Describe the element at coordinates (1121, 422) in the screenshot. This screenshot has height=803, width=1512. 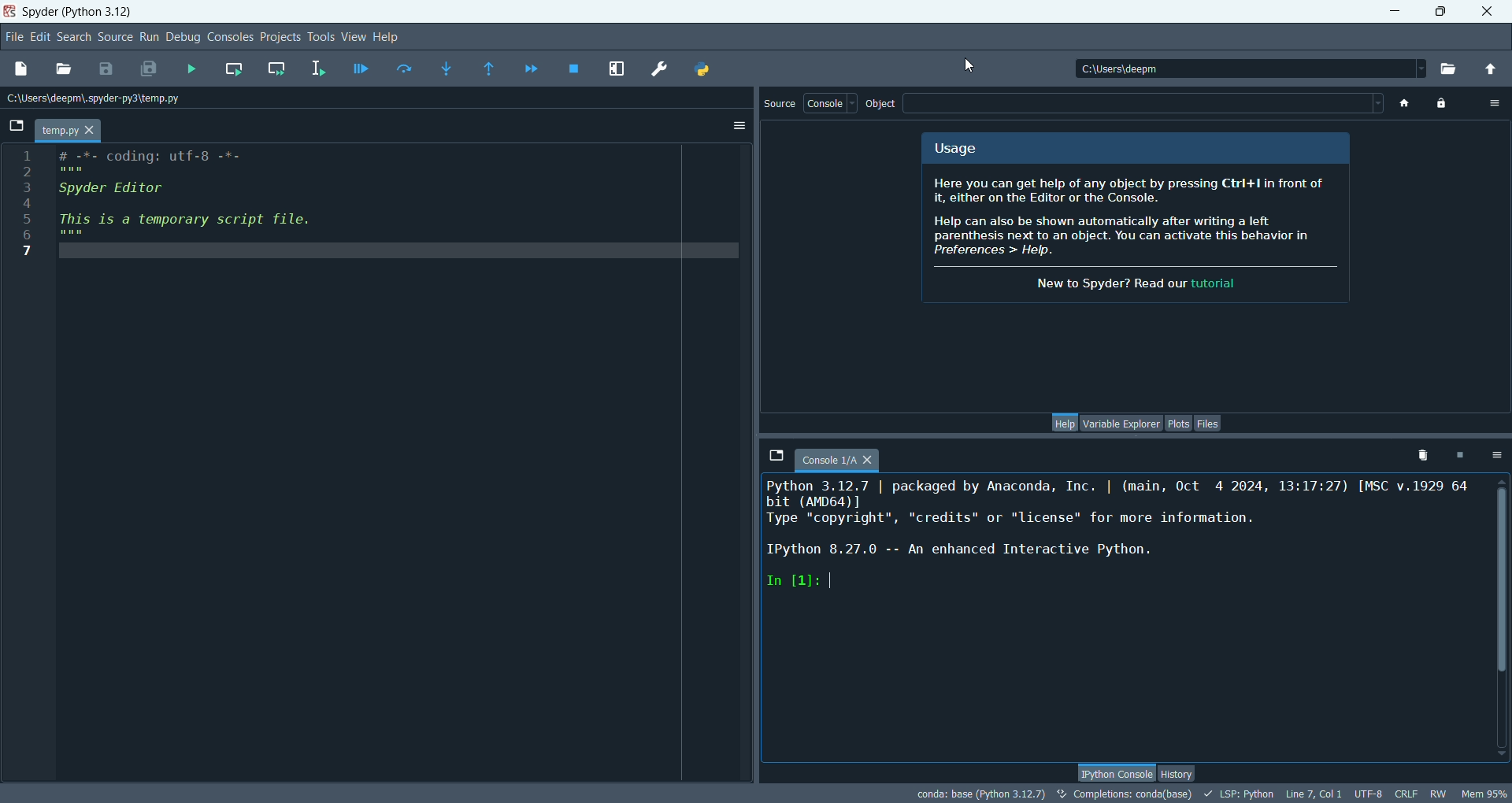
I see `variable explorer` at that location.